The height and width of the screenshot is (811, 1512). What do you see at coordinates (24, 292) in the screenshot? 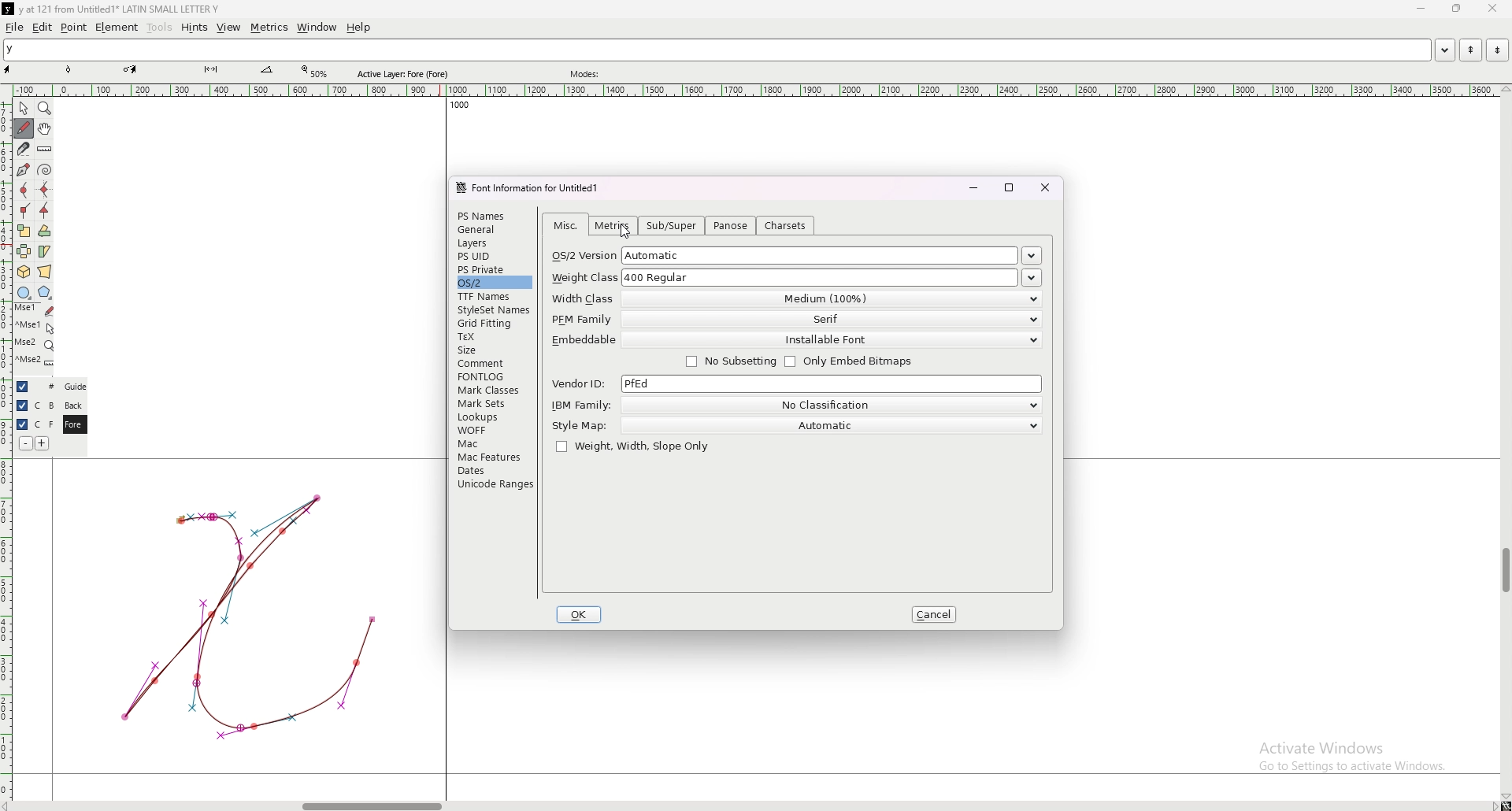
I see `circle or ellipse` at bounding box center [24, 292].